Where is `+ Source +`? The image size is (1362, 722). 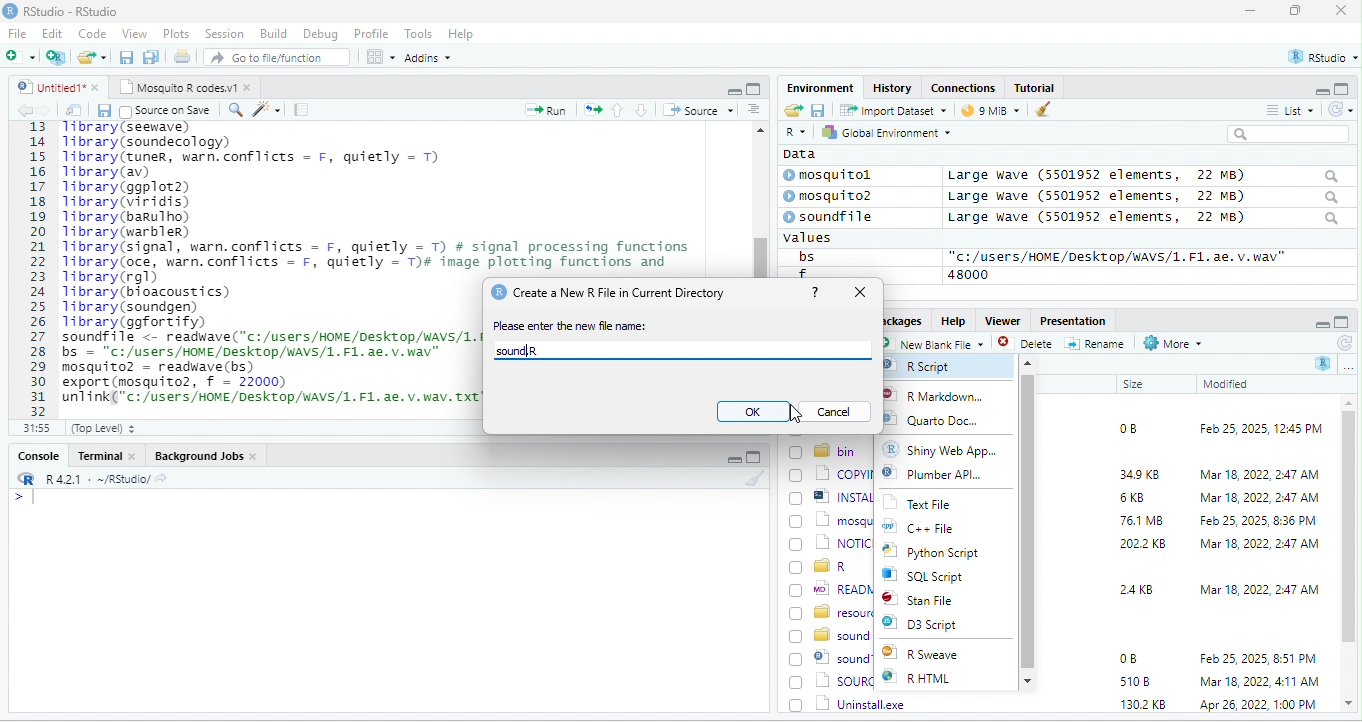 + Source + is located at coordinates (698, 109).